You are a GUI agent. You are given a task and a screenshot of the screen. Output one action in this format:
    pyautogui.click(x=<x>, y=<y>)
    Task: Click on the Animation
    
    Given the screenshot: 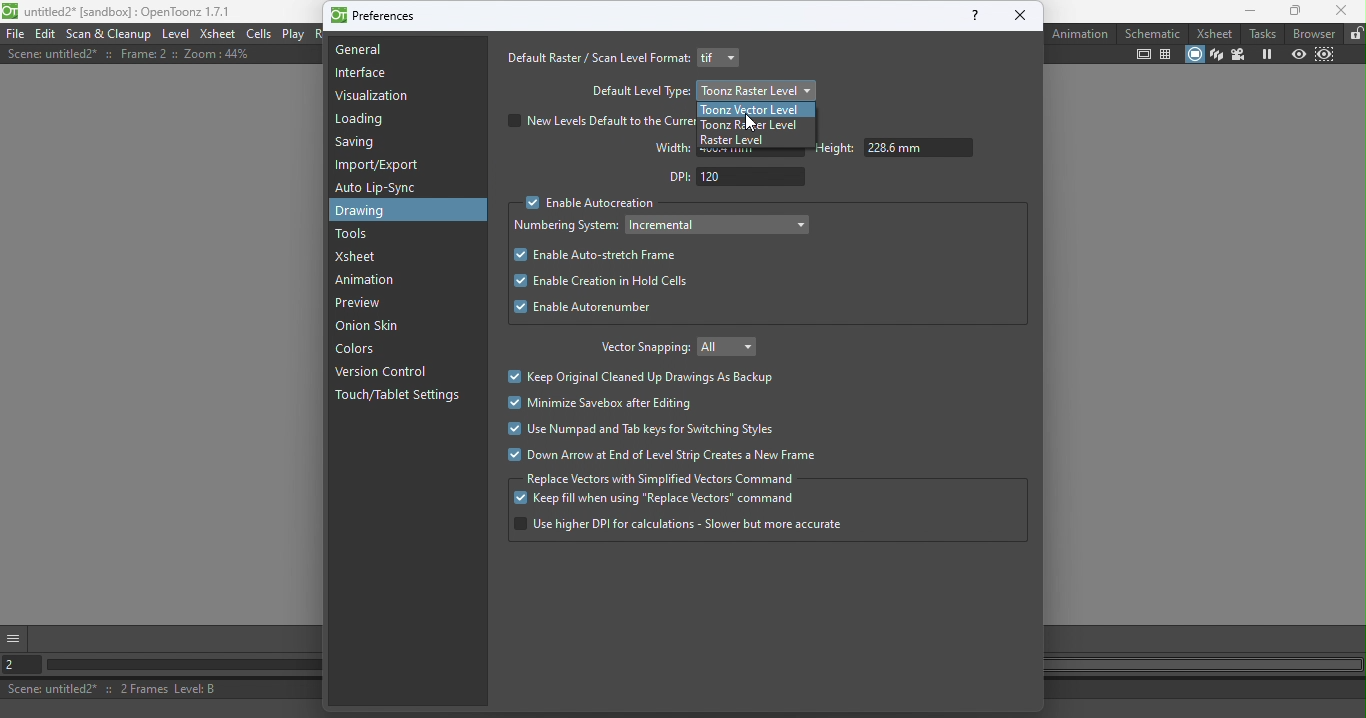 What is the action you would take?
    pyautogui.click(x=369, y=280)
    